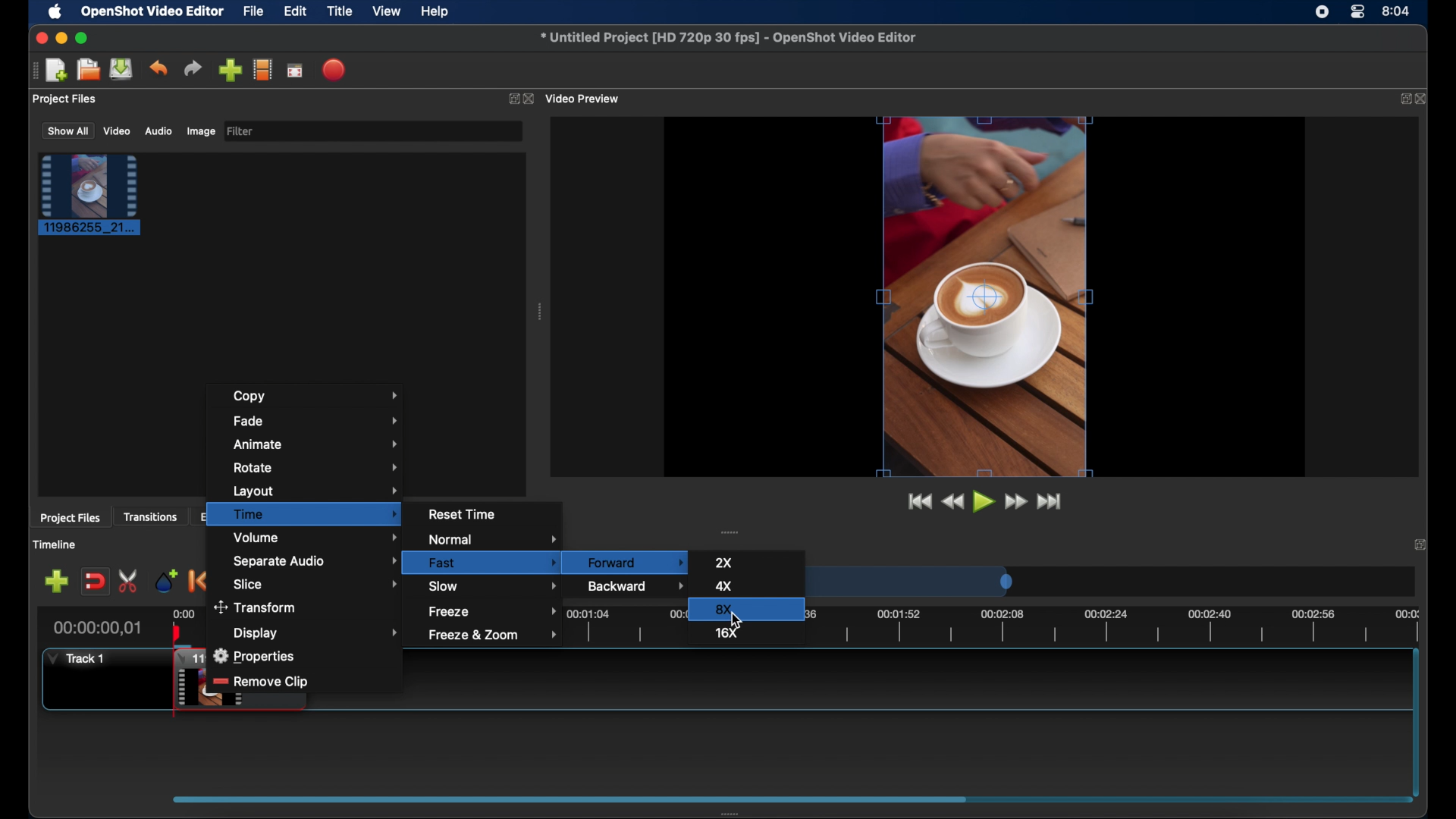 This screenshot has height=819, width=1456. I want to click on play , so click(982, 501).